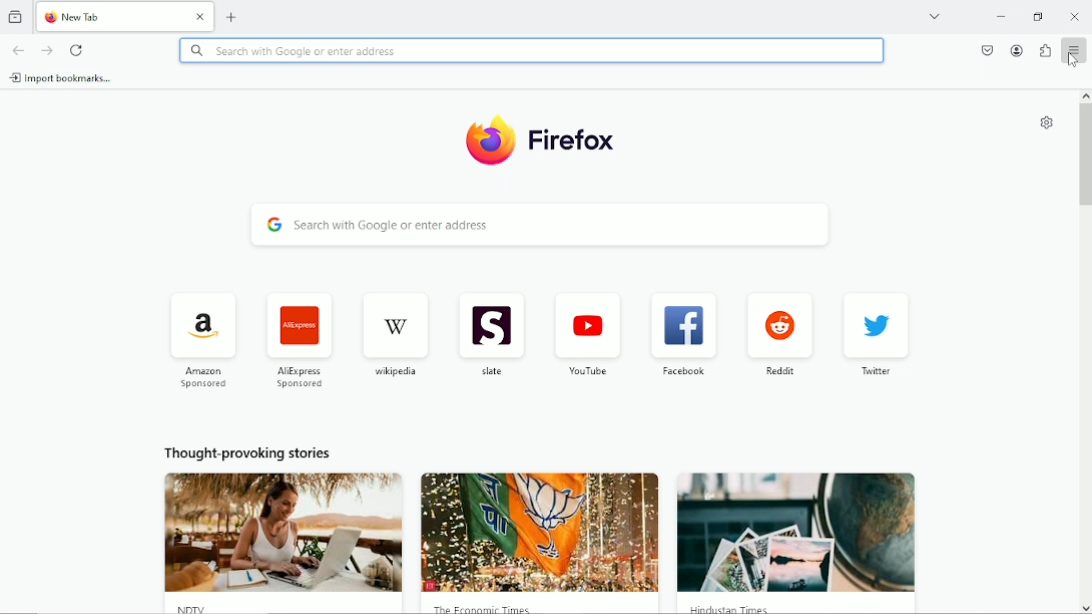 The image size is (1092, 614). I want to click on go forward, so click(47, 51).